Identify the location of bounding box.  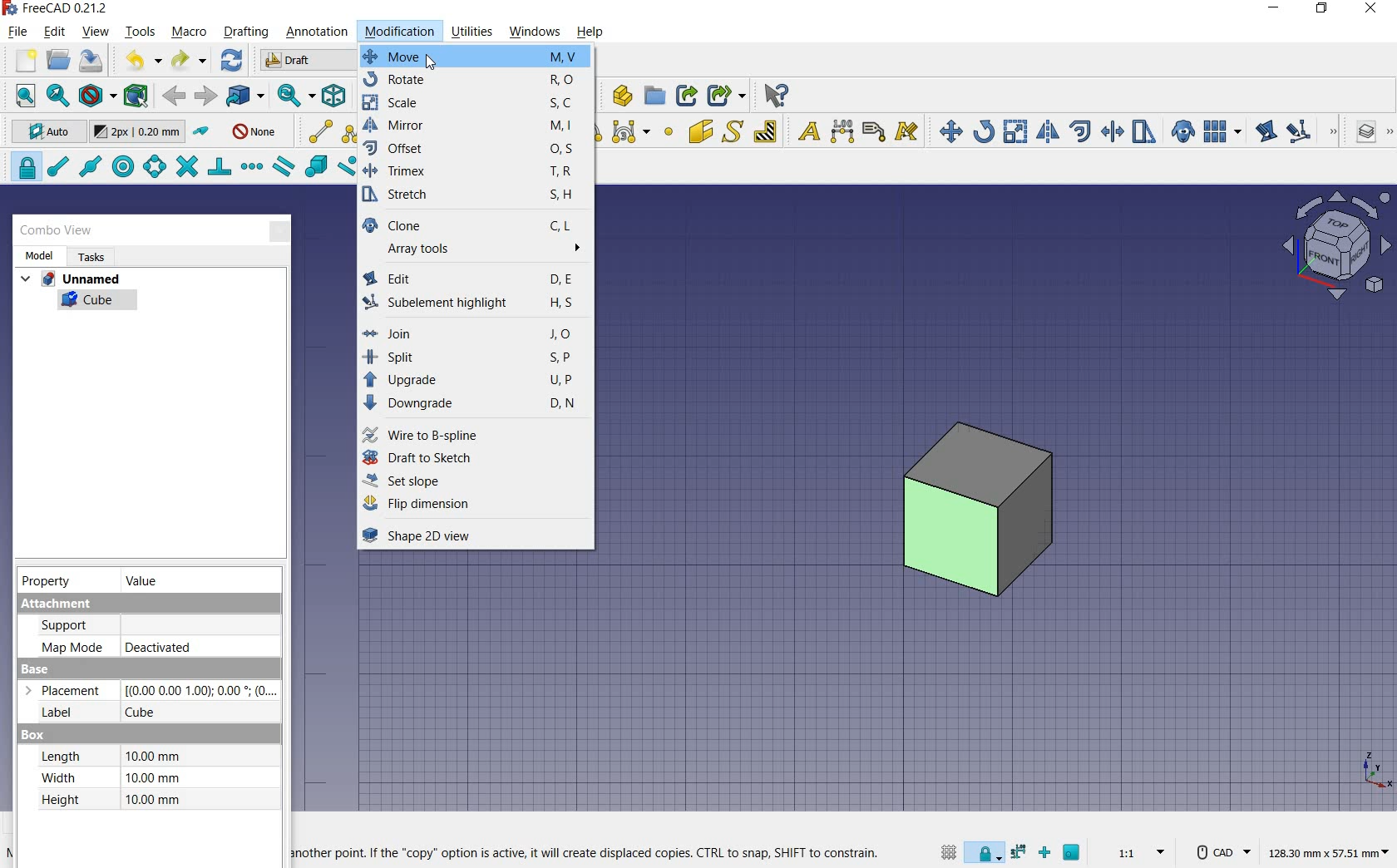
(136, 96).